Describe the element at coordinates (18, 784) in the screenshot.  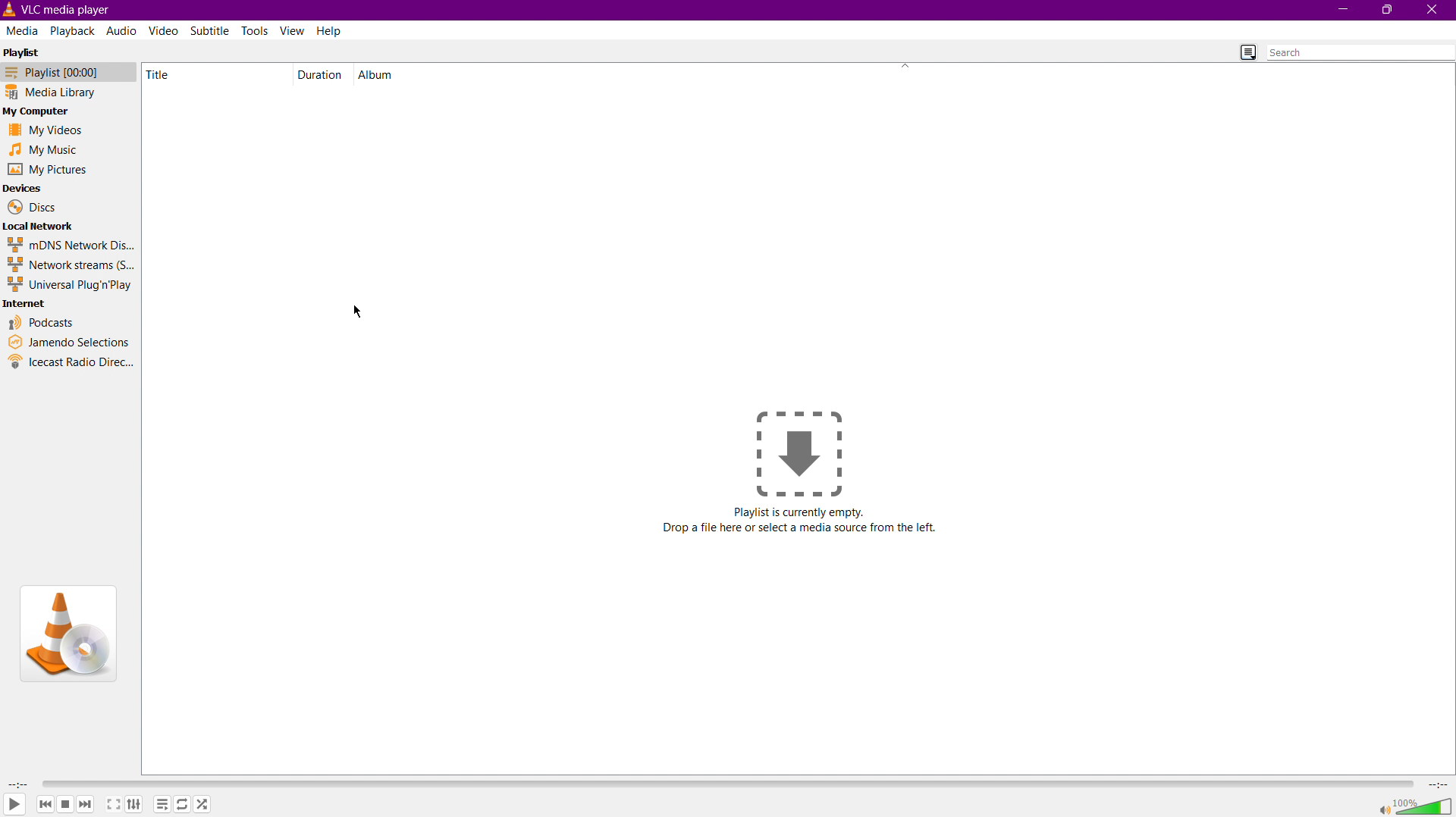
I see `--:--` at that location.